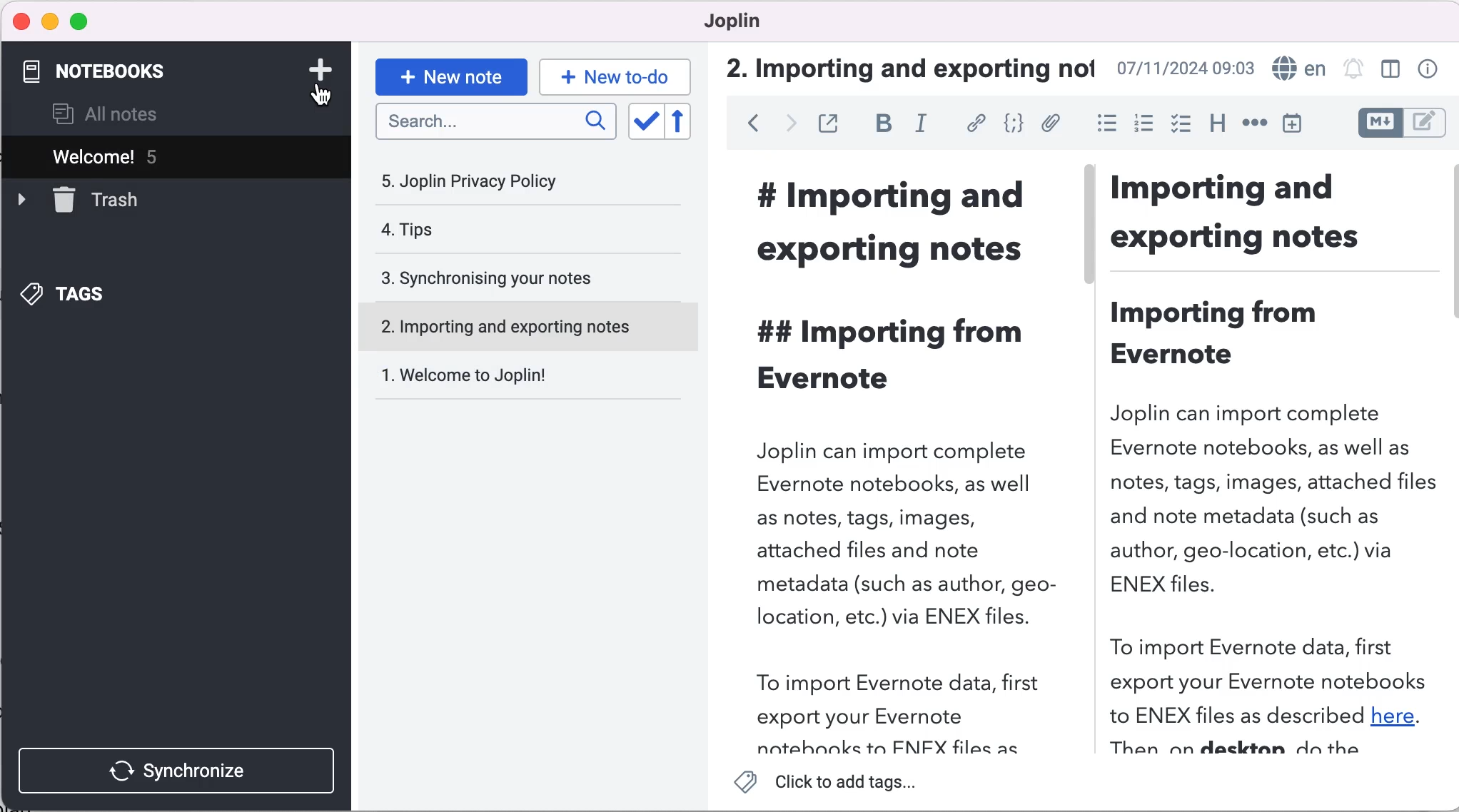  Describe the element at coordinates (1252, 124) in the screenshot. I see `horizontal rules` at that location.